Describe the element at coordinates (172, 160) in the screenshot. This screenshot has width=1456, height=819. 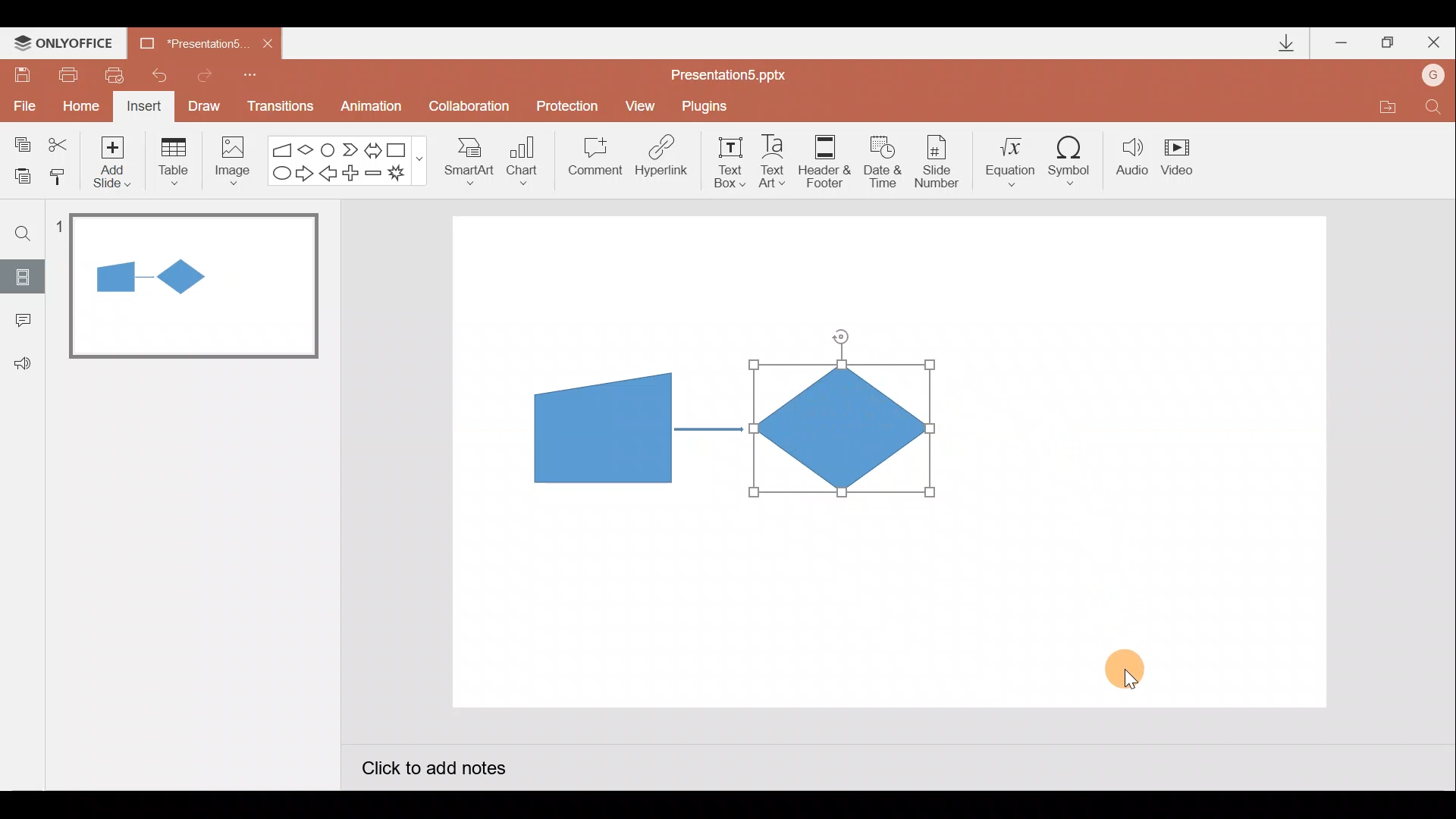
I see `Table` at that location.